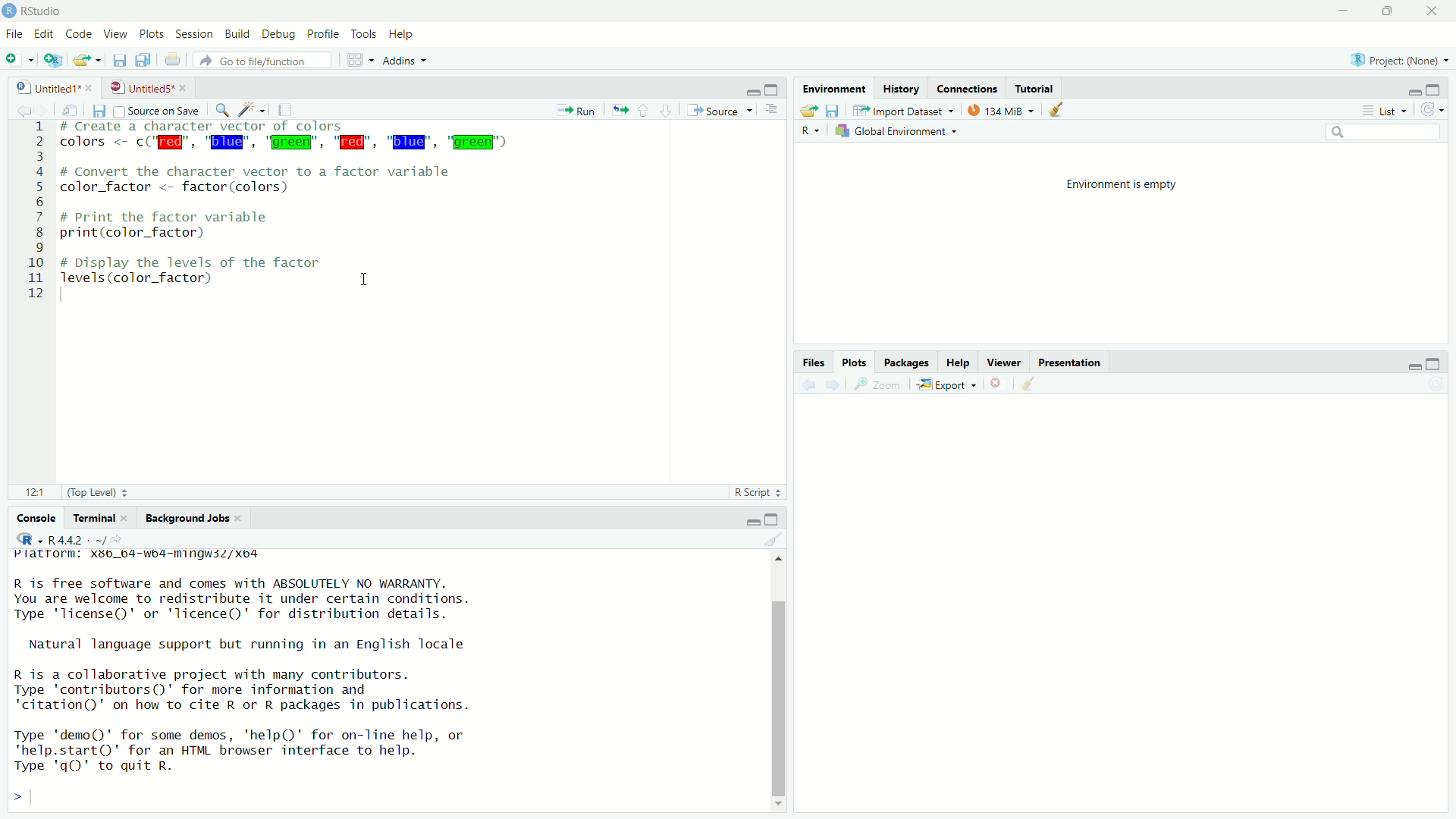 This screenshot has height=819, width=1456. Describe the element at coordinates (77, 541) in the screenshot. I see `R 4.4.2 . ~/` at that location.